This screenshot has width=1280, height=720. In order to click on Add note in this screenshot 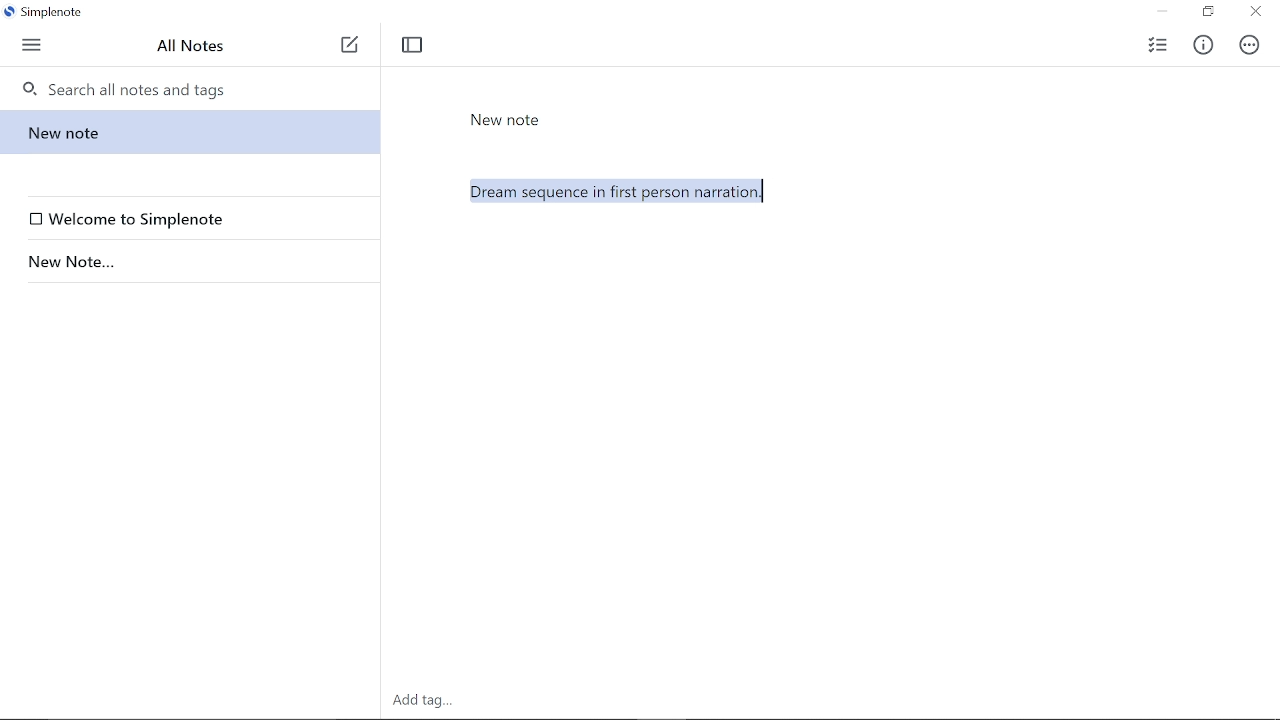, I will do `click(350, 45)`.